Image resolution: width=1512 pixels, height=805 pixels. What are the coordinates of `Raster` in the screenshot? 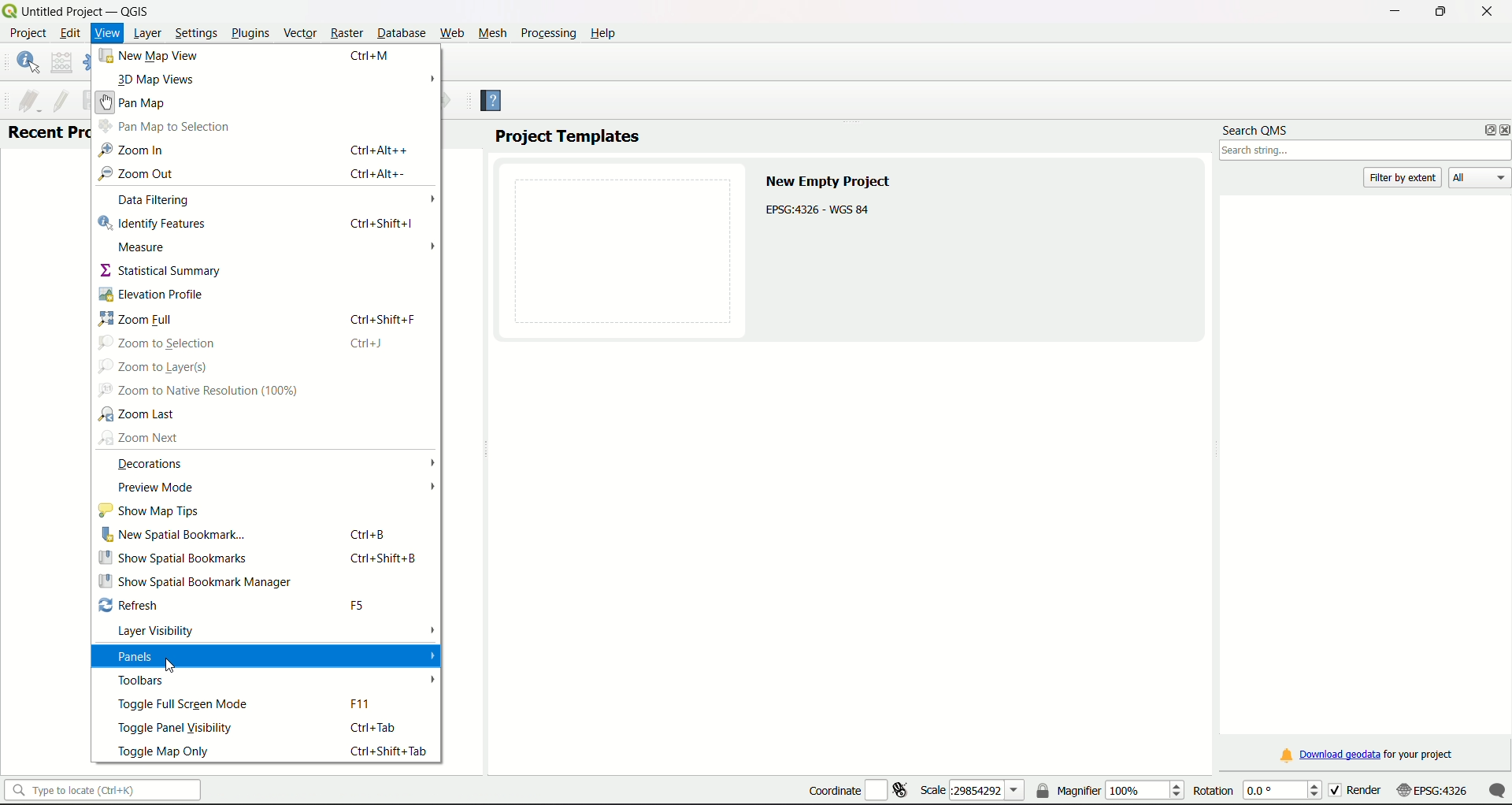 It's located at (348, 34).